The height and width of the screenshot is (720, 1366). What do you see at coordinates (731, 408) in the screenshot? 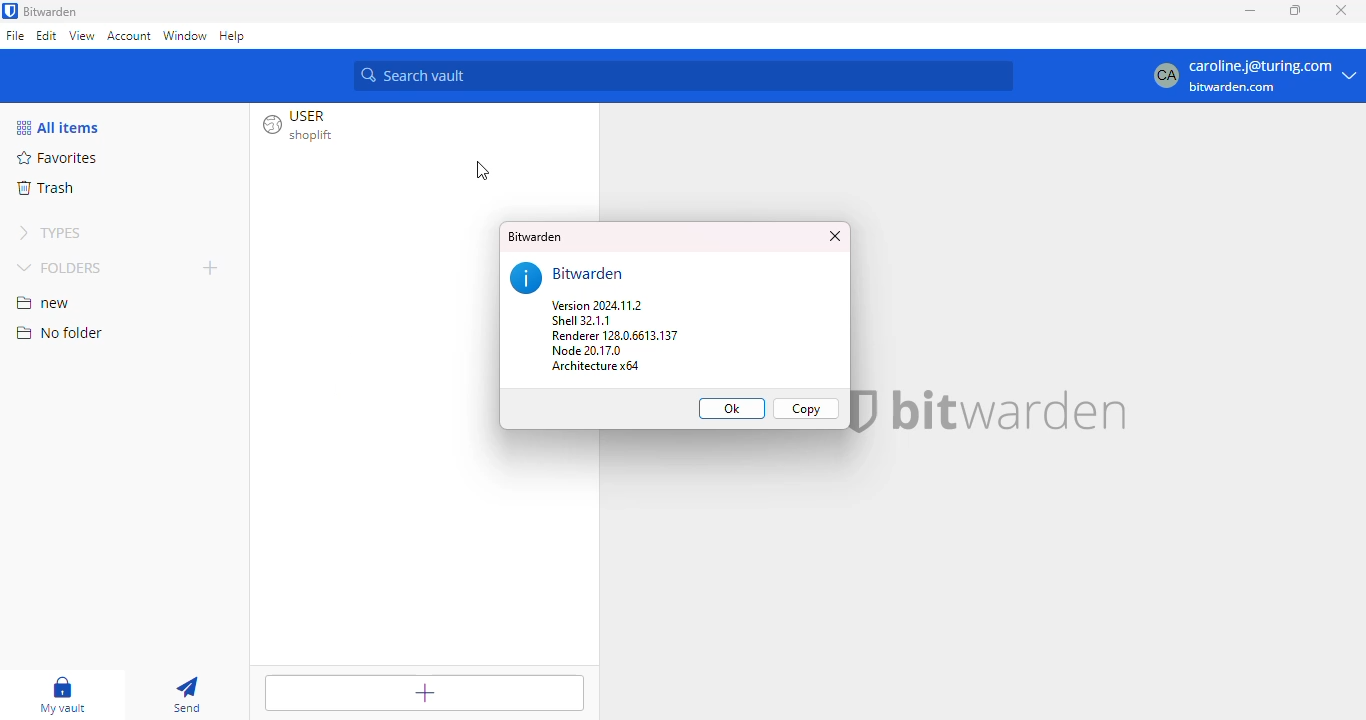
I see `Ok` at bounding box center [731, 408].